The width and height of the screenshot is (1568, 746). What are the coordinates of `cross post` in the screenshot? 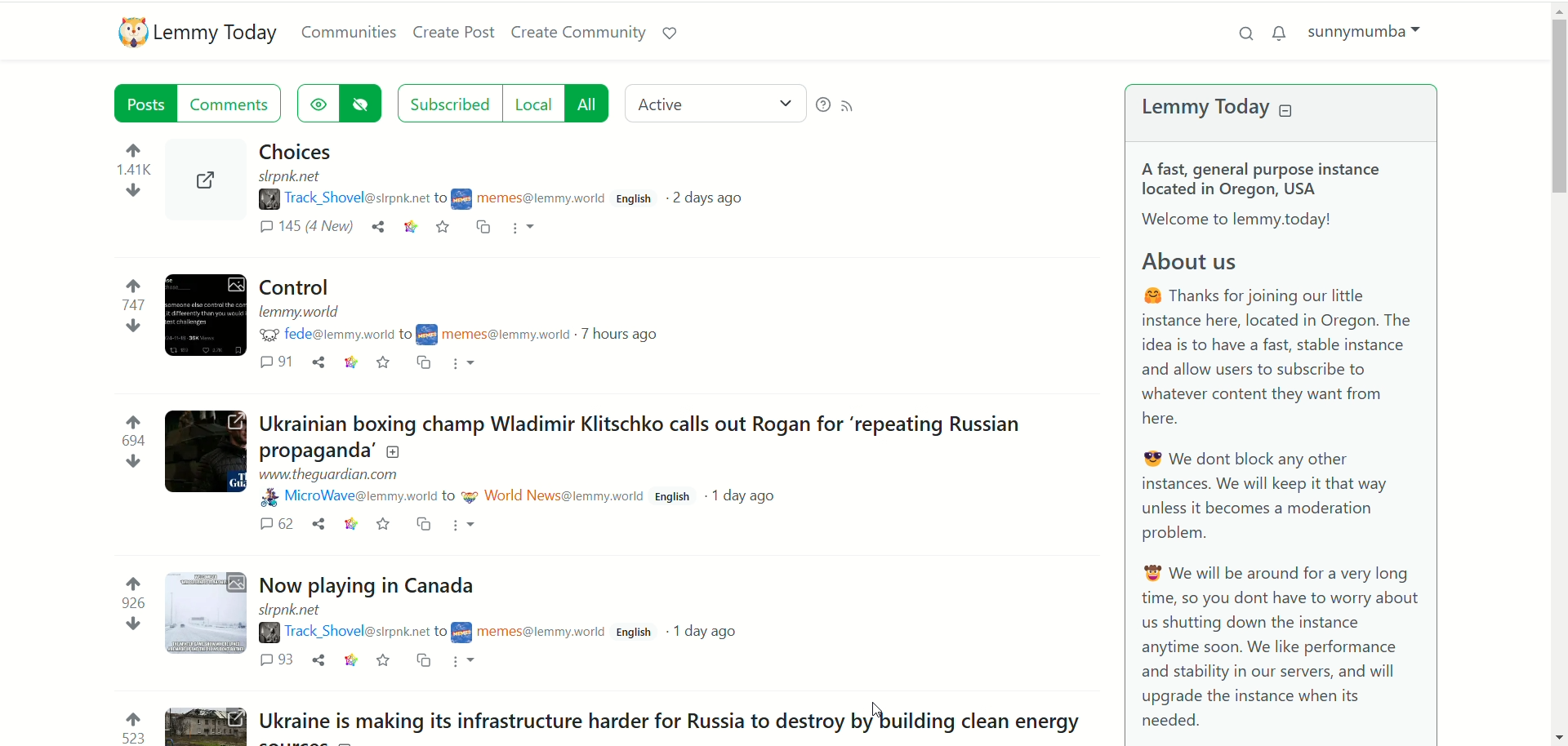 It's located at (421, 661).